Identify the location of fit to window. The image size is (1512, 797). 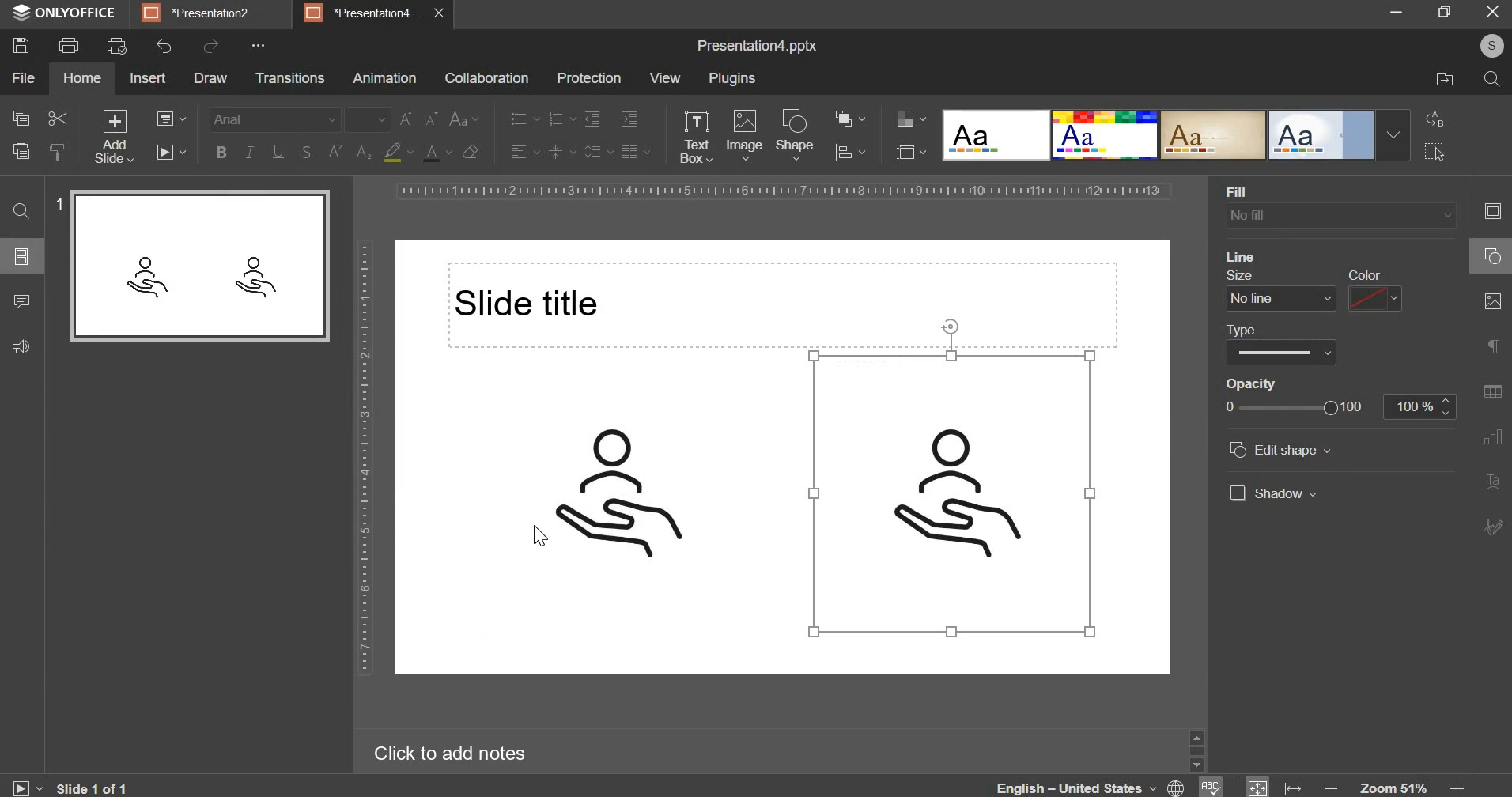
(1258, 788).